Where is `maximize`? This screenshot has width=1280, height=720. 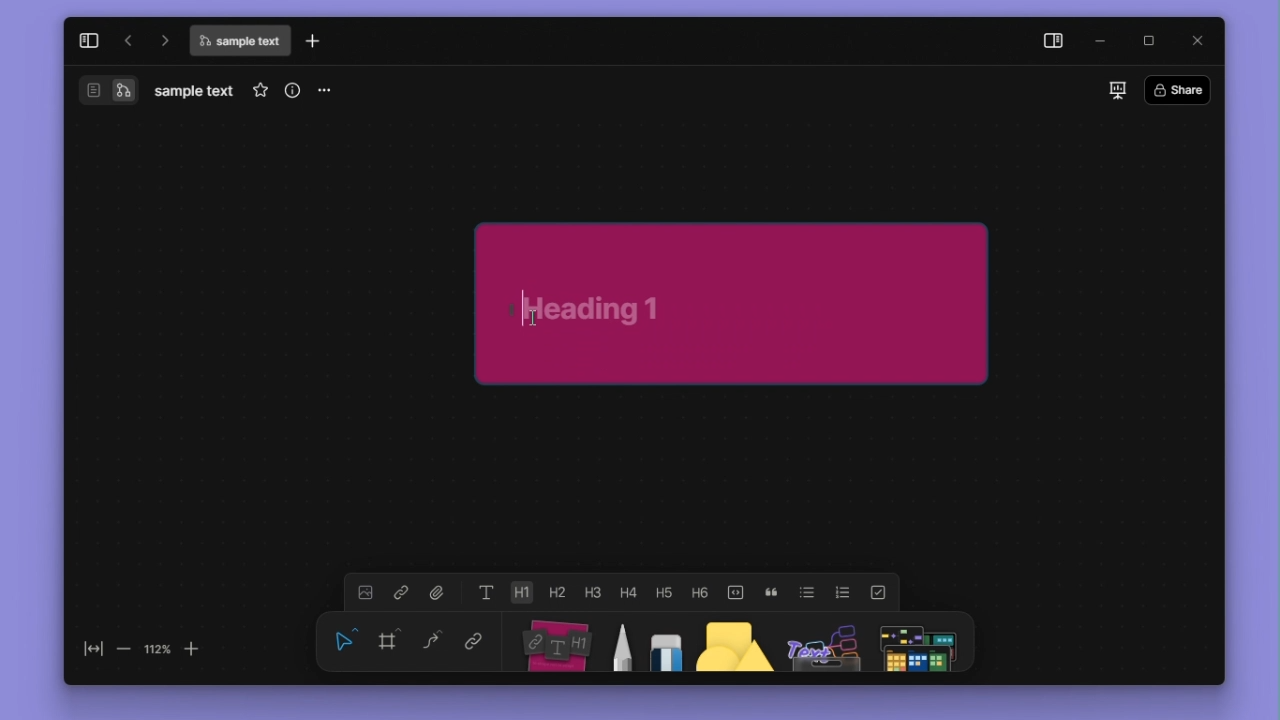
maximize is located at coordinates (1148, 41).